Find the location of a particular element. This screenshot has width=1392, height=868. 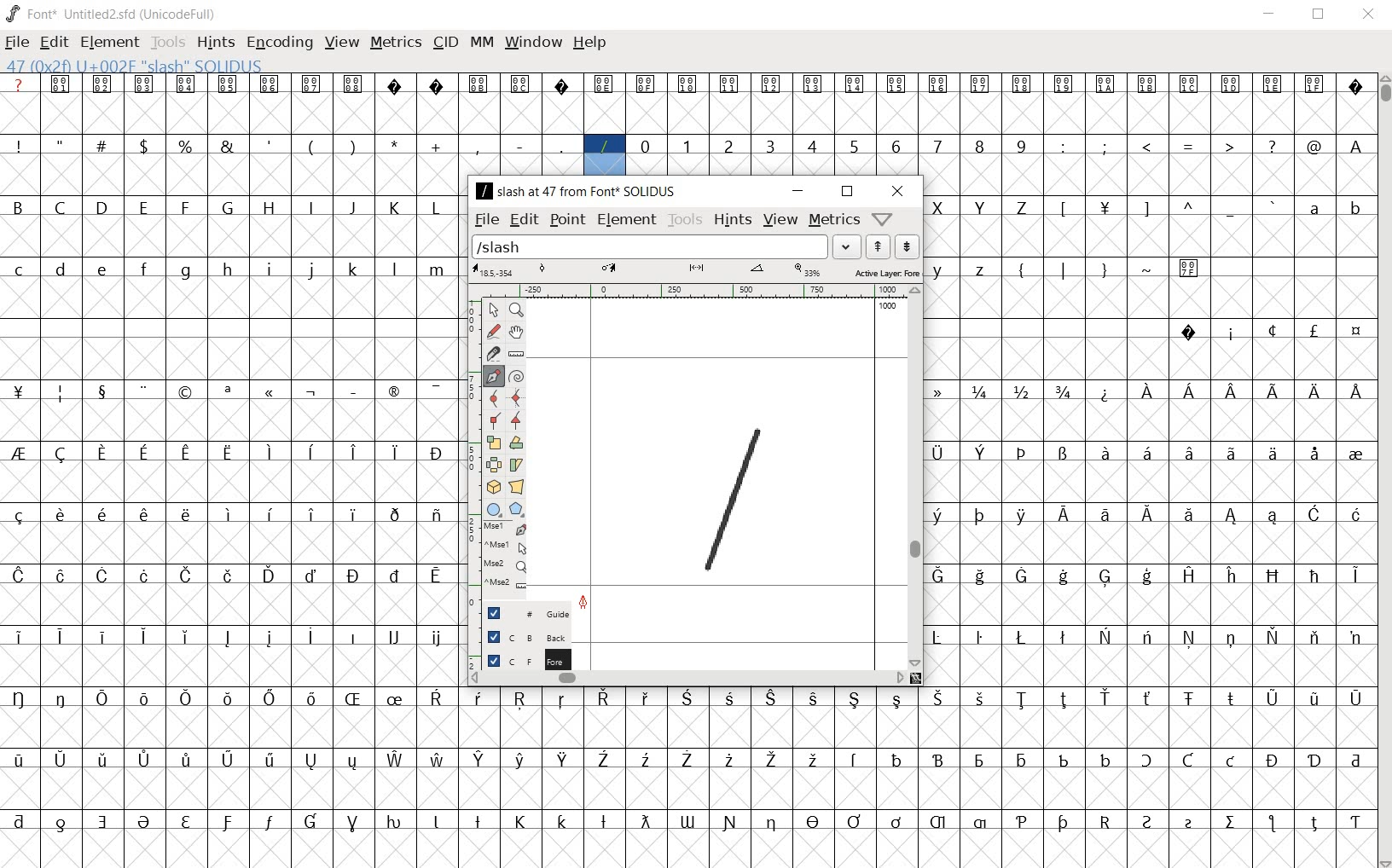

empty cells is located at coordinates (1151, 239).